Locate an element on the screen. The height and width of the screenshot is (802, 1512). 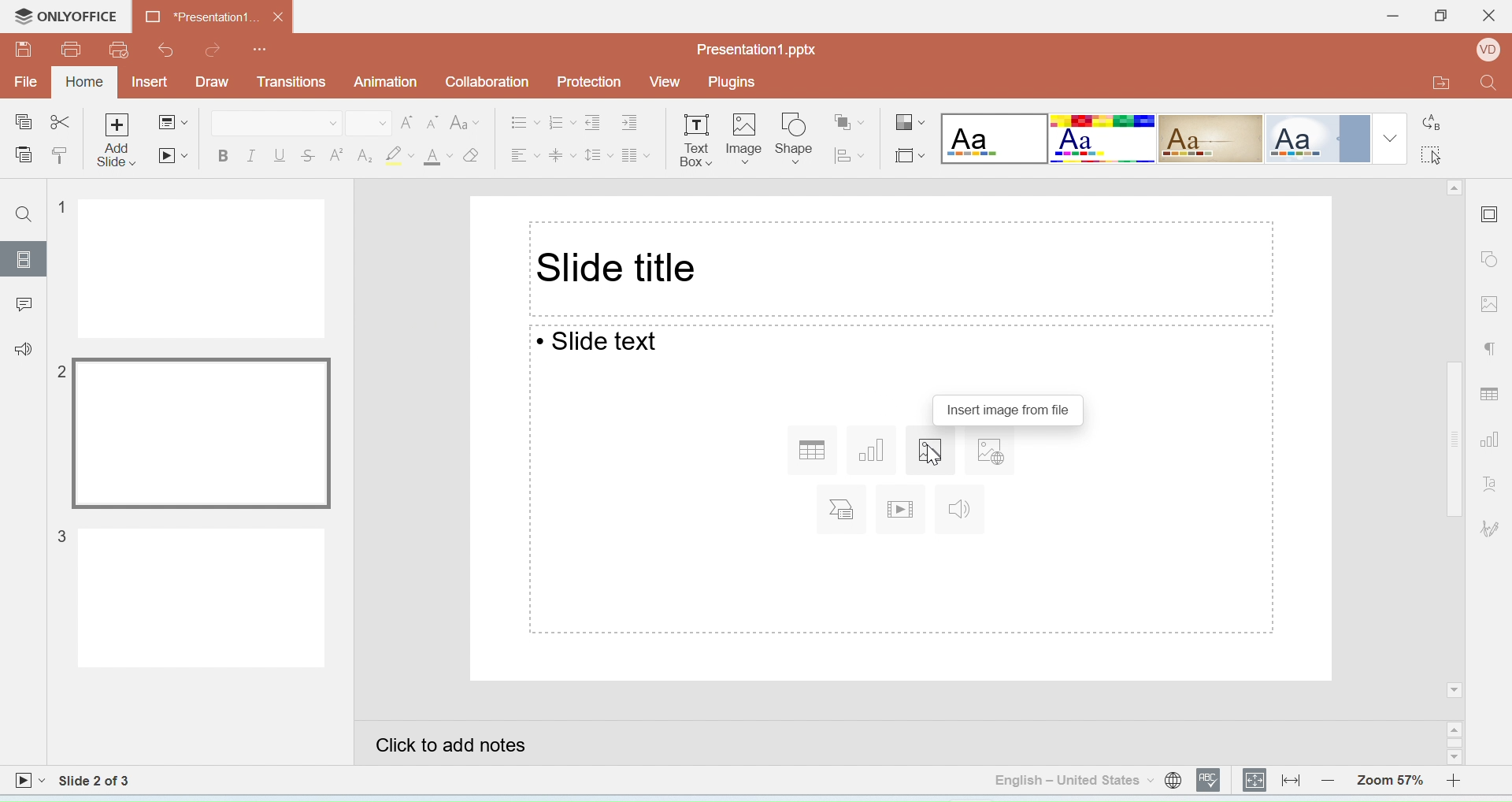
Comments is located at coordinates (22, 302).